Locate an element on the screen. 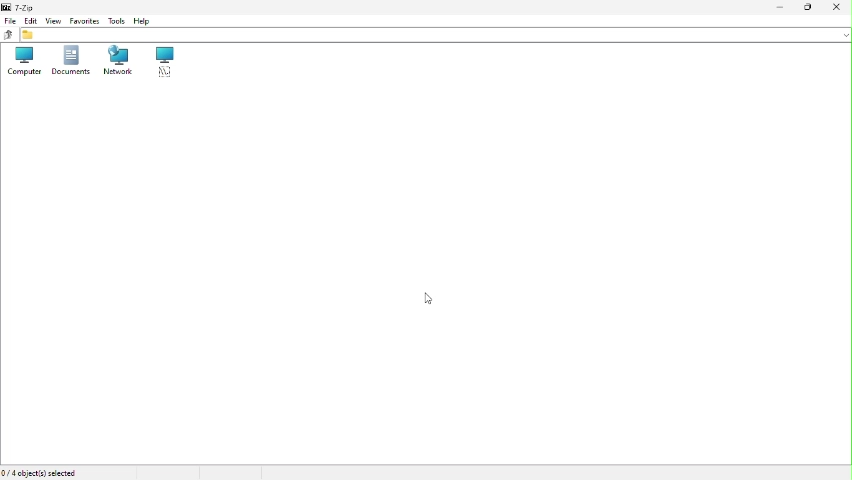 The height and width of the screenshot is (480, 852). Favourite is located at coordinates (83, 21).